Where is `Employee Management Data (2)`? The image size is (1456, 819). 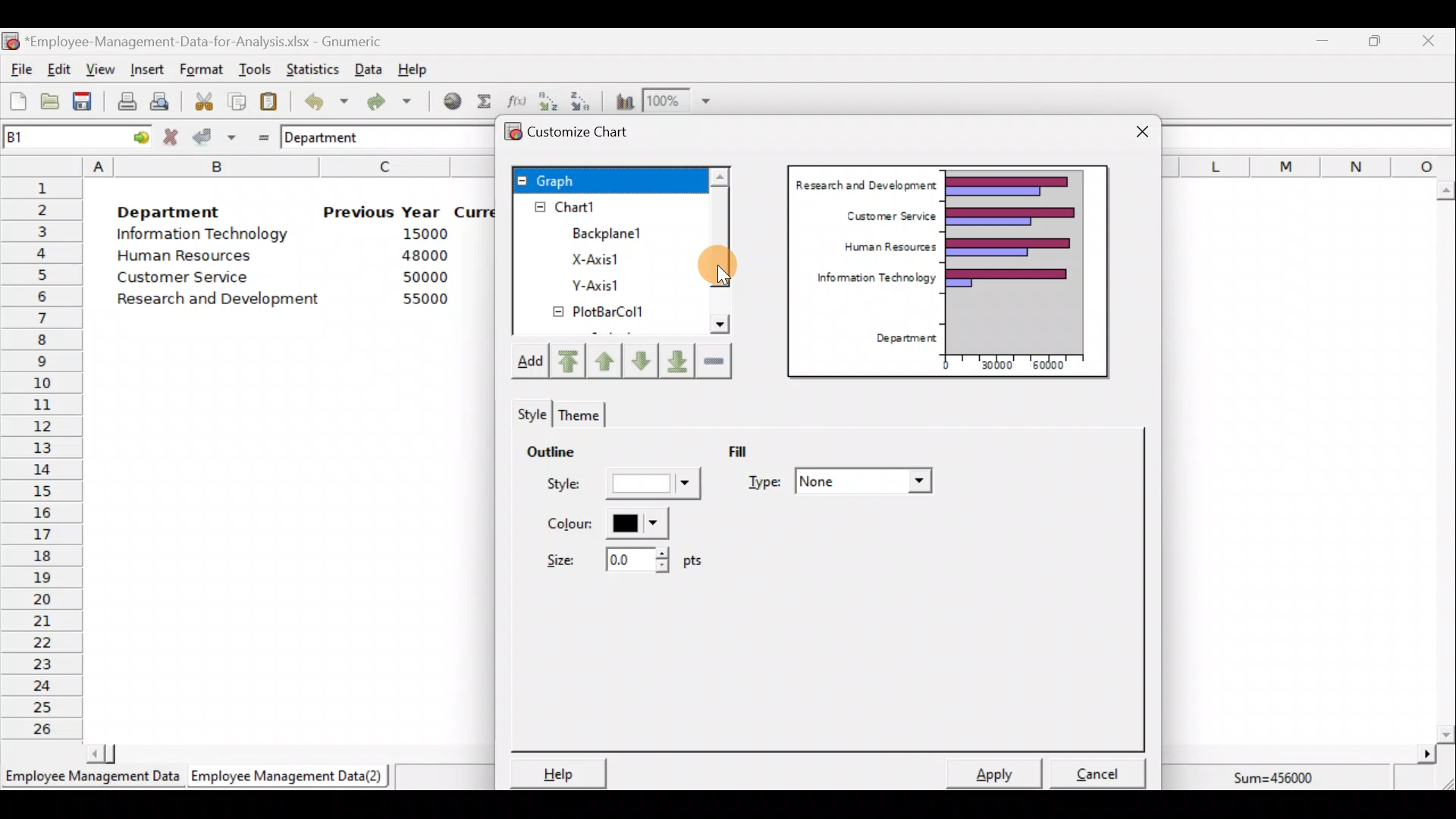 Employee Management Data (2) is located at coordinates (287, 774).